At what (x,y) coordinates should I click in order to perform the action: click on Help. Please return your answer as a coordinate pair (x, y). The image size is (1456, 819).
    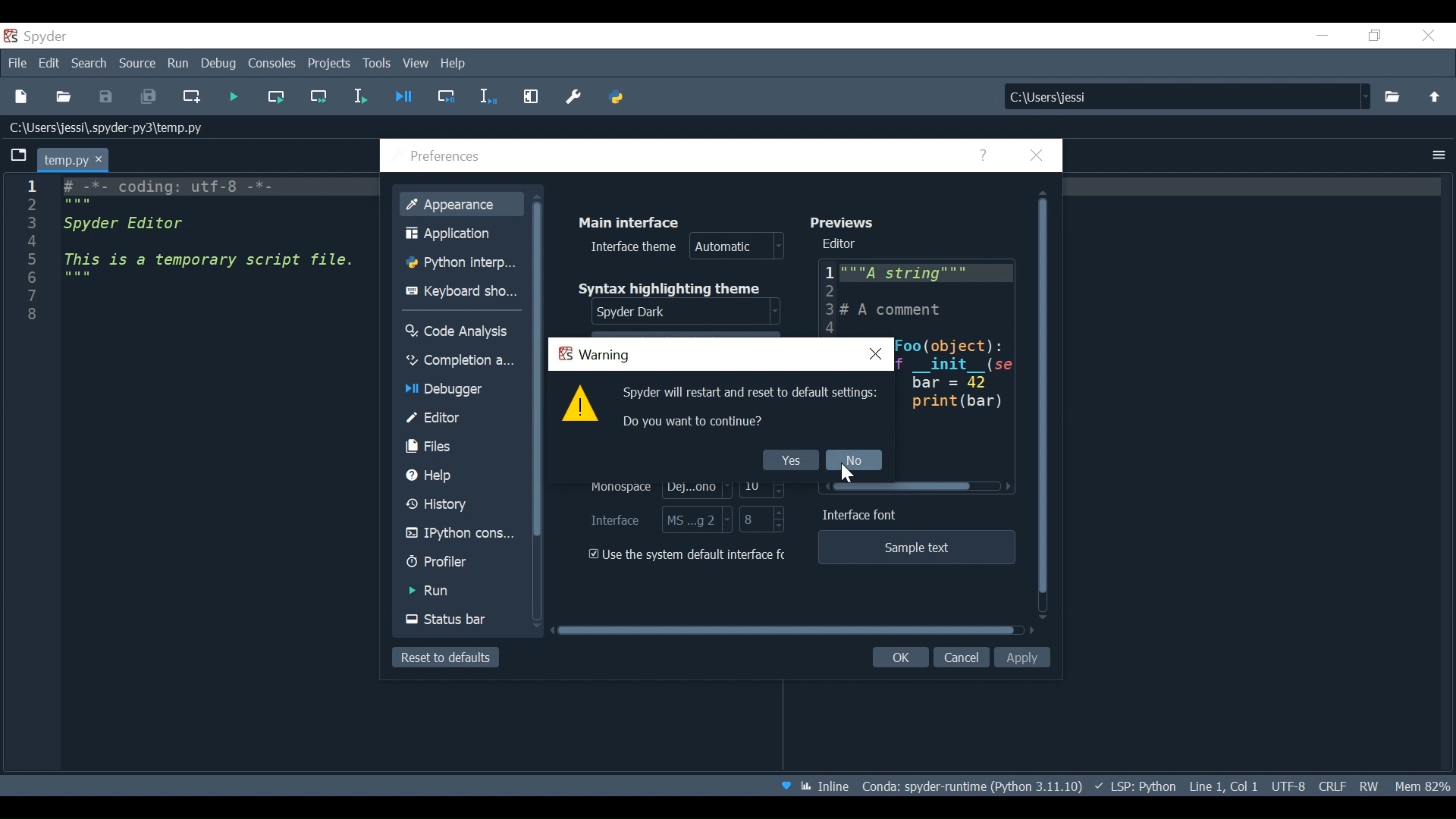
    Looking at the image, I should click on (452, 63).